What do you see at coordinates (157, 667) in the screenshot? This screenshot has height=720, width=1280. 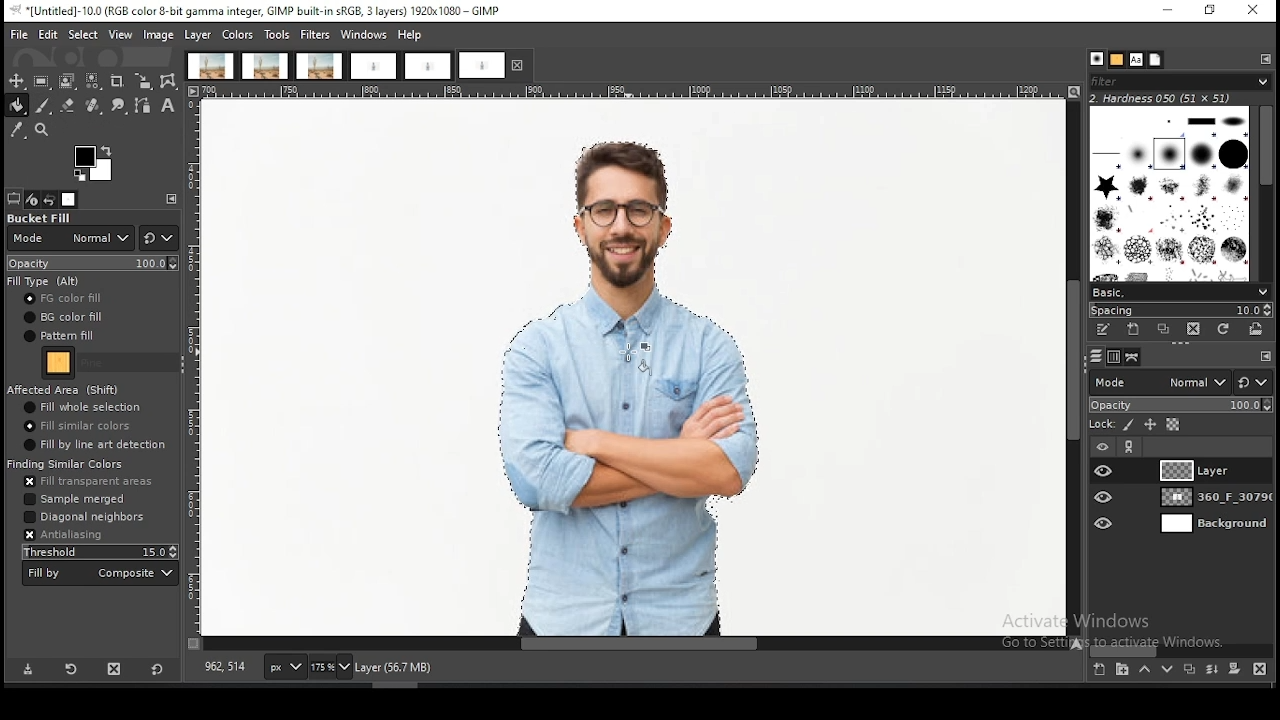 I see `reset` at bounding box center [157, 667].